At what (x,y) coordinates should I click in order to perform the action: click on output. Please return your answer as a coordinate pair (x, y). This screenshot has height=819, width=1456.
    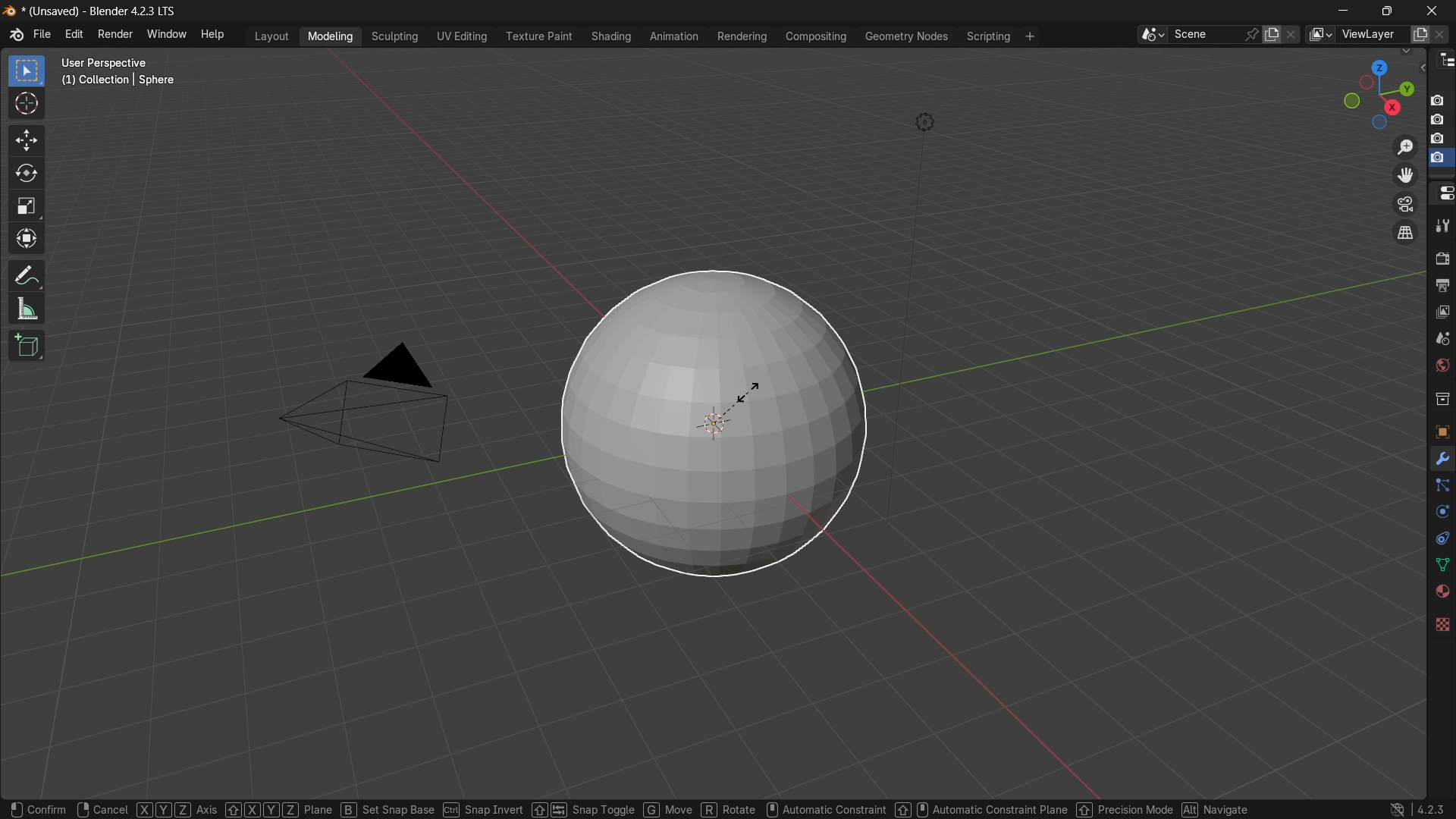
    Looking at the image, I should click on (1442, 286).